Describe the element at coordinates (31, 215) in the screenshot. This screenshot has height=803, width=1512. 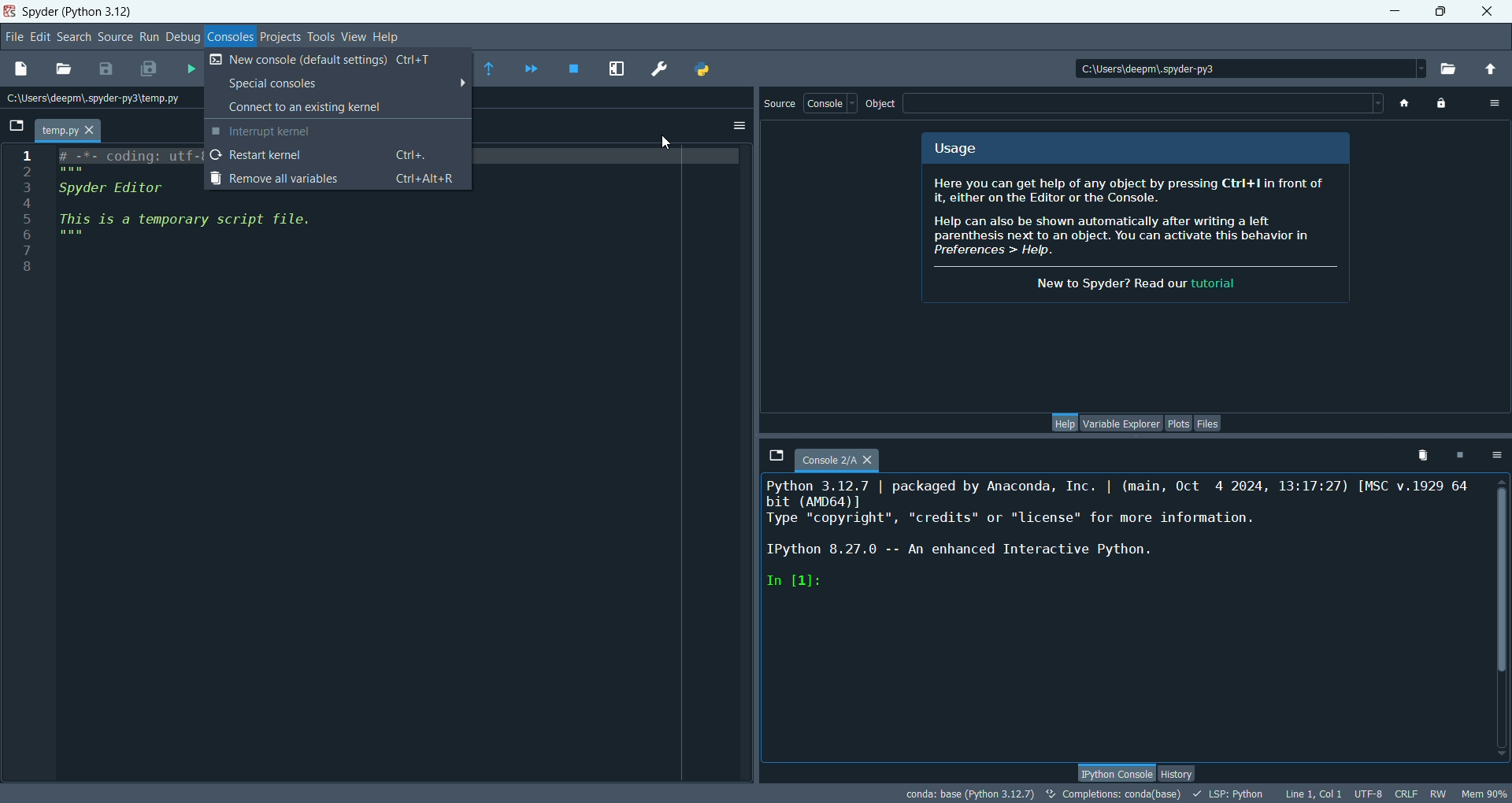
I see `line numbers` at that location.